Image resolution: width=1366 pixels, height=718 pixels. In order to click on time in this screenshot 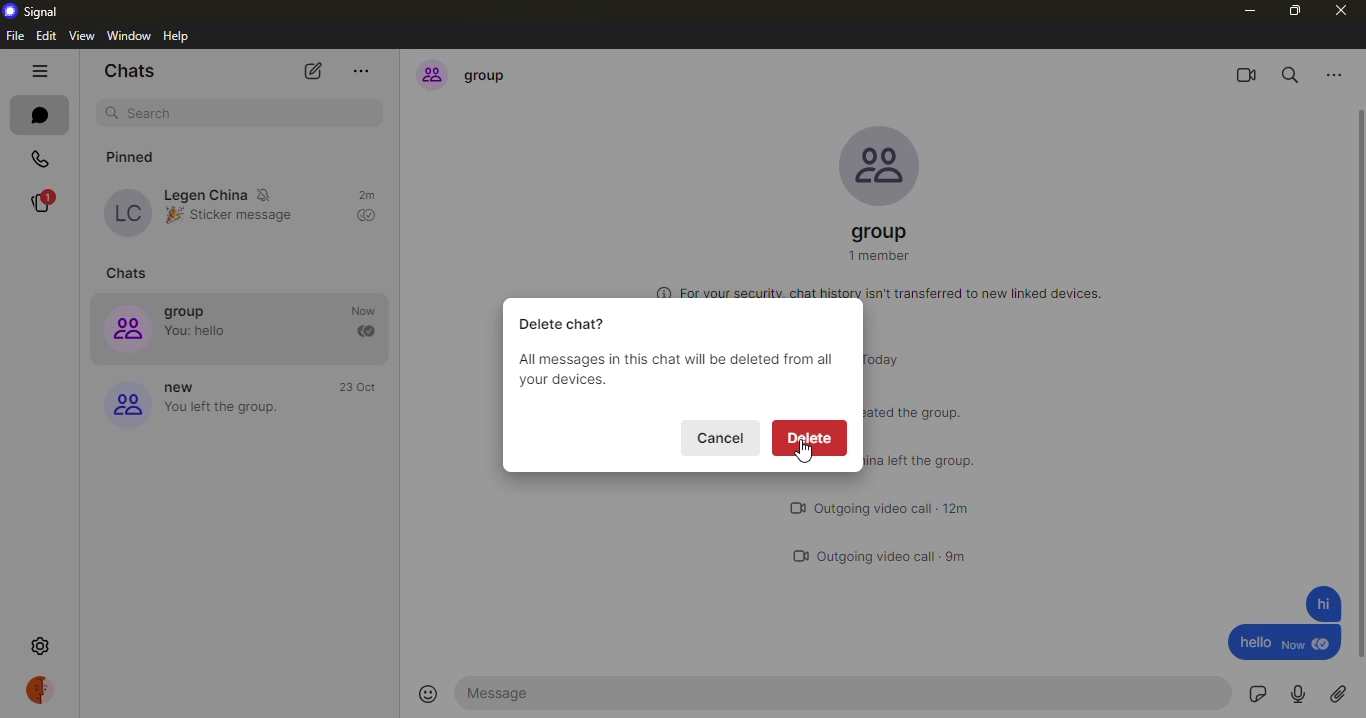, I will do `click(361, 310)`.